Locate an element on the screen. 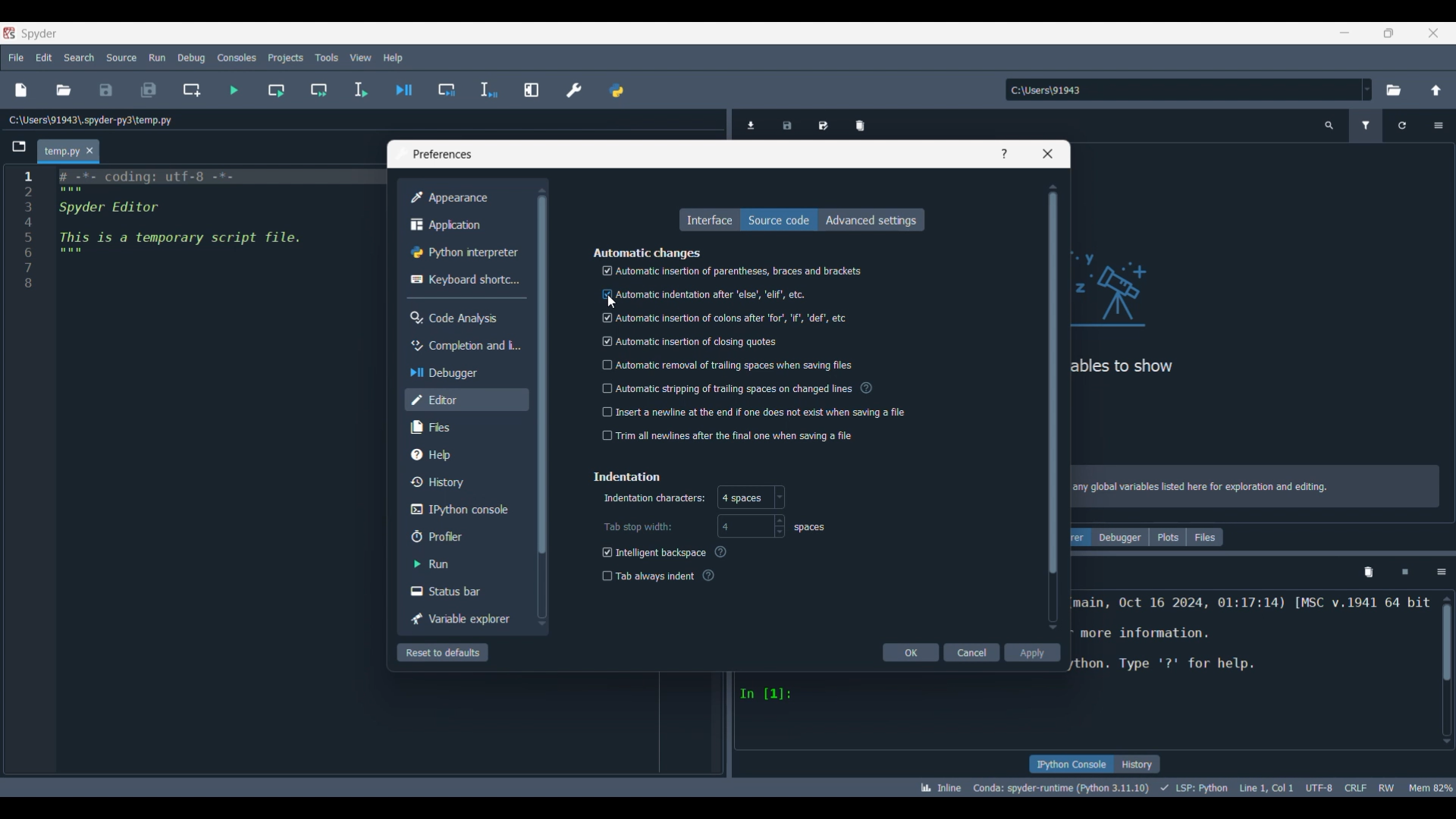 The height and width of the screenshot is (819, 1456). History  is located at coordinates (1138, 764).